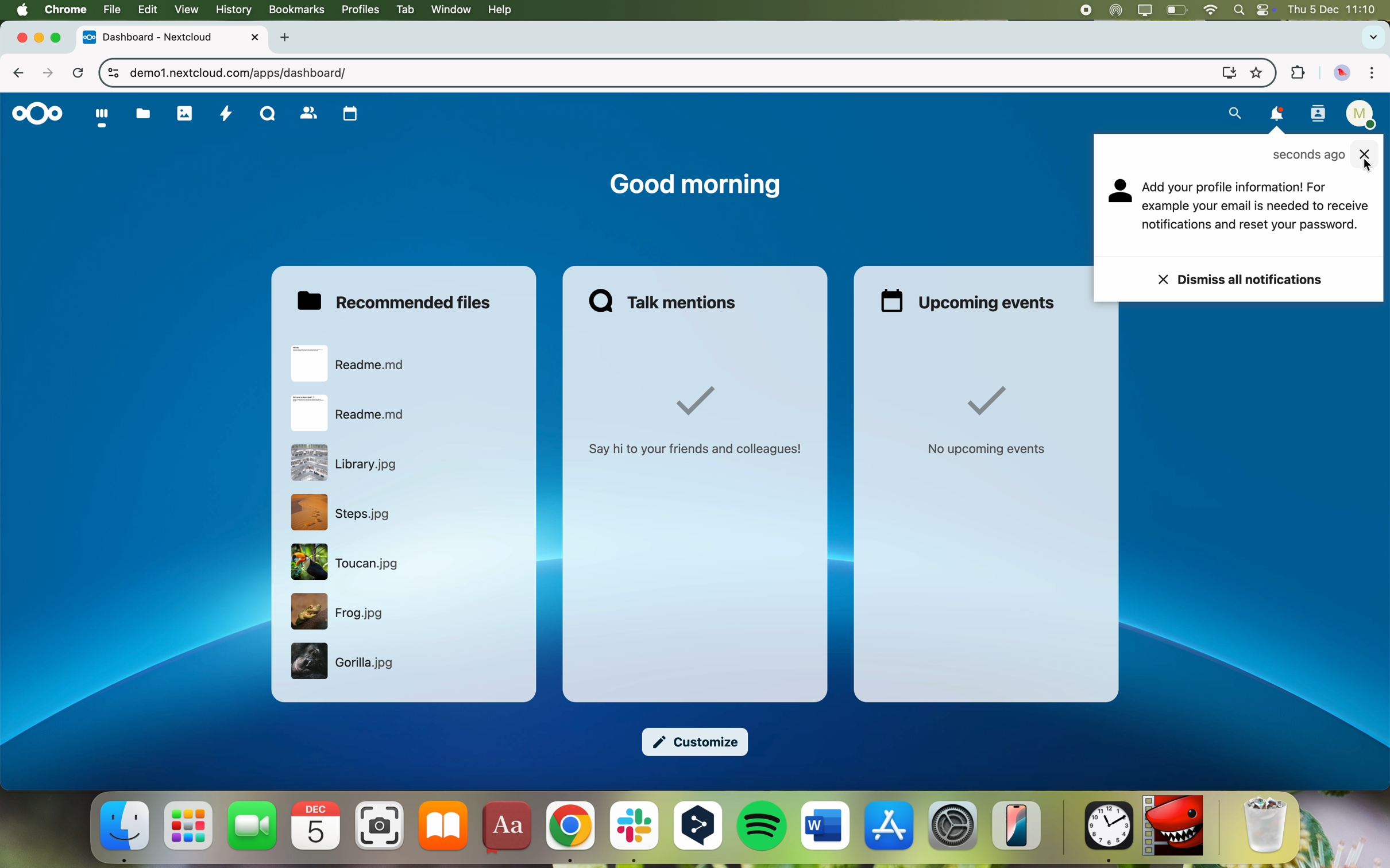 This screenshot has width=1390, height=868. Describe the element at coordinates (60, 38) in the screenshot. I see `maximize` at that location.